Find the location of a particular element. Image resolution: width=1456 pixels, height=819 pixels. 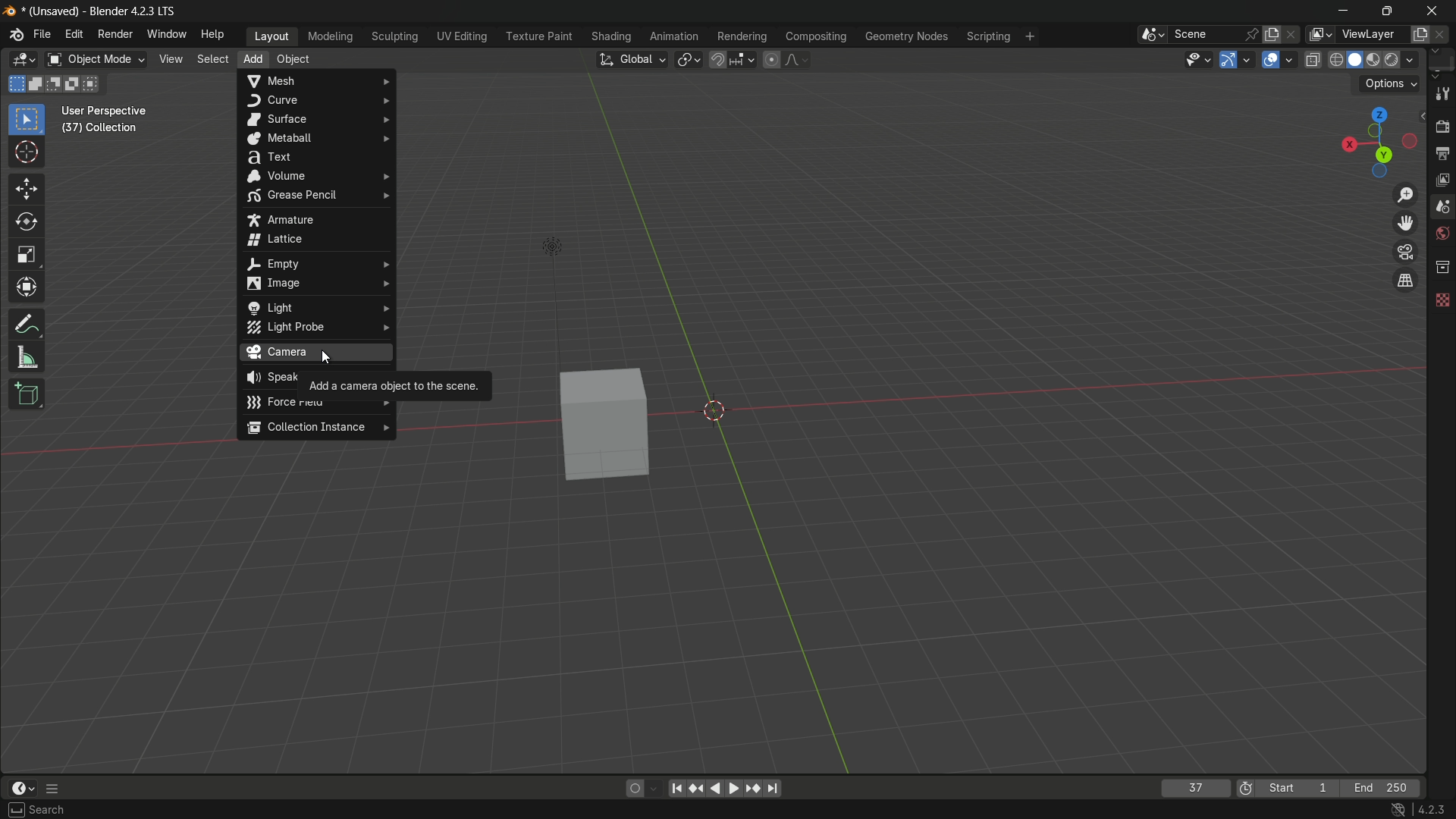

material preview is located at coordinates (1378, 60).